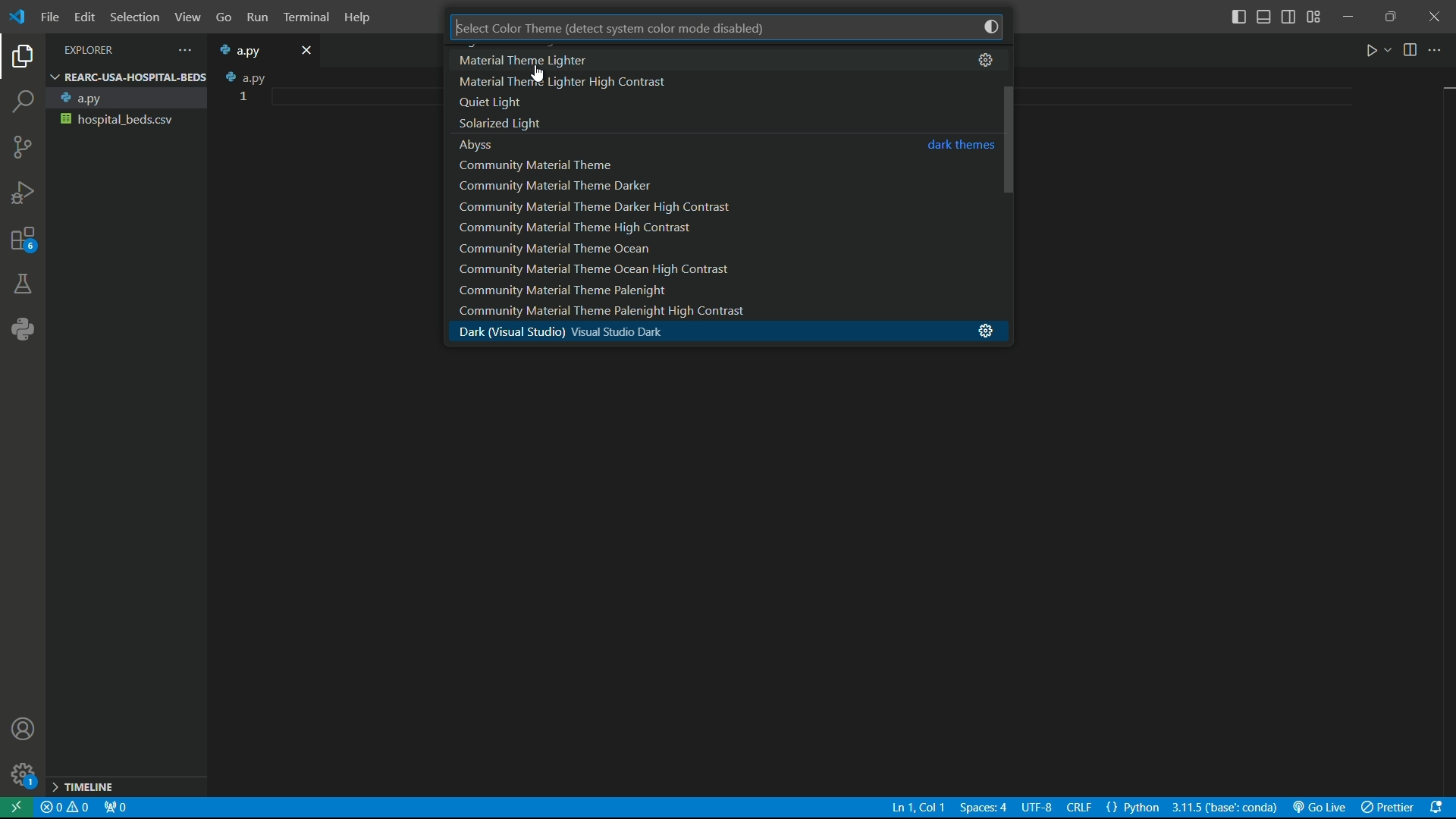 The height and width of the screenshot is (819, 1456). What do you see at coordinates (249, 50) in the screenshot?
I see `a.py` at bounding box center [249, 50].